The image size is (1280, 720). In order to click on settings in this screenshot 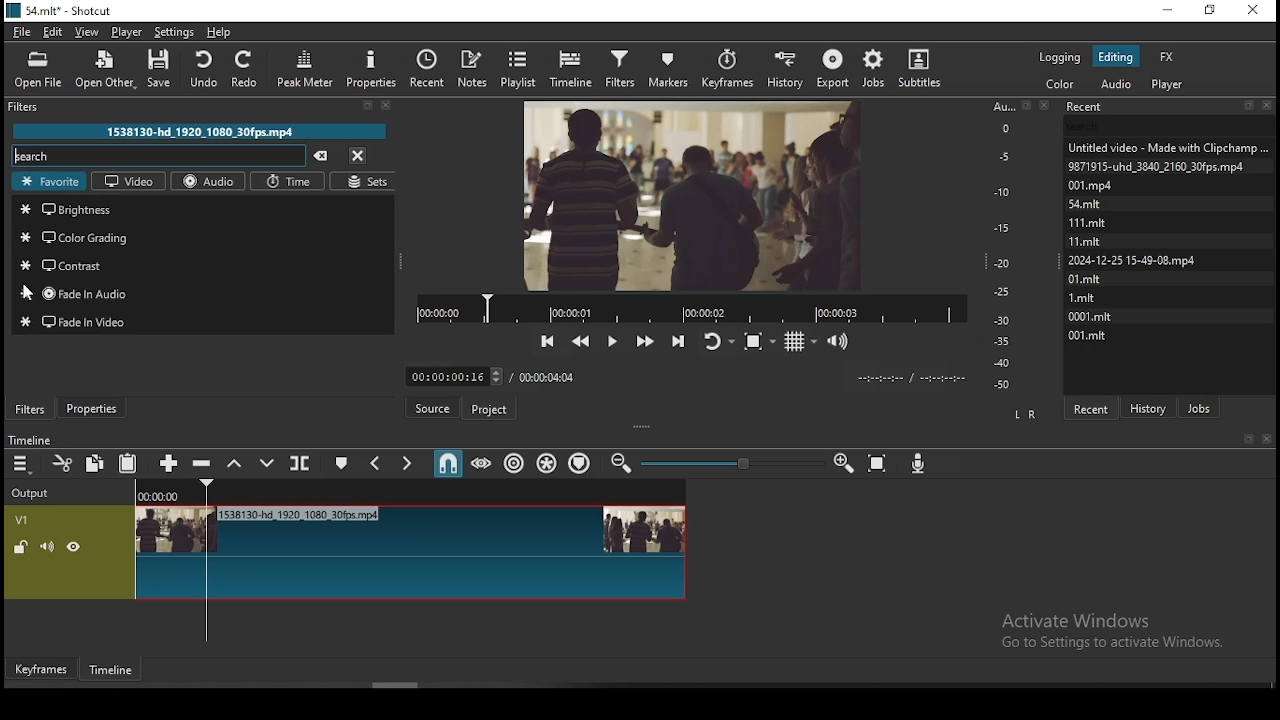, I will do `click(172, 31)`.